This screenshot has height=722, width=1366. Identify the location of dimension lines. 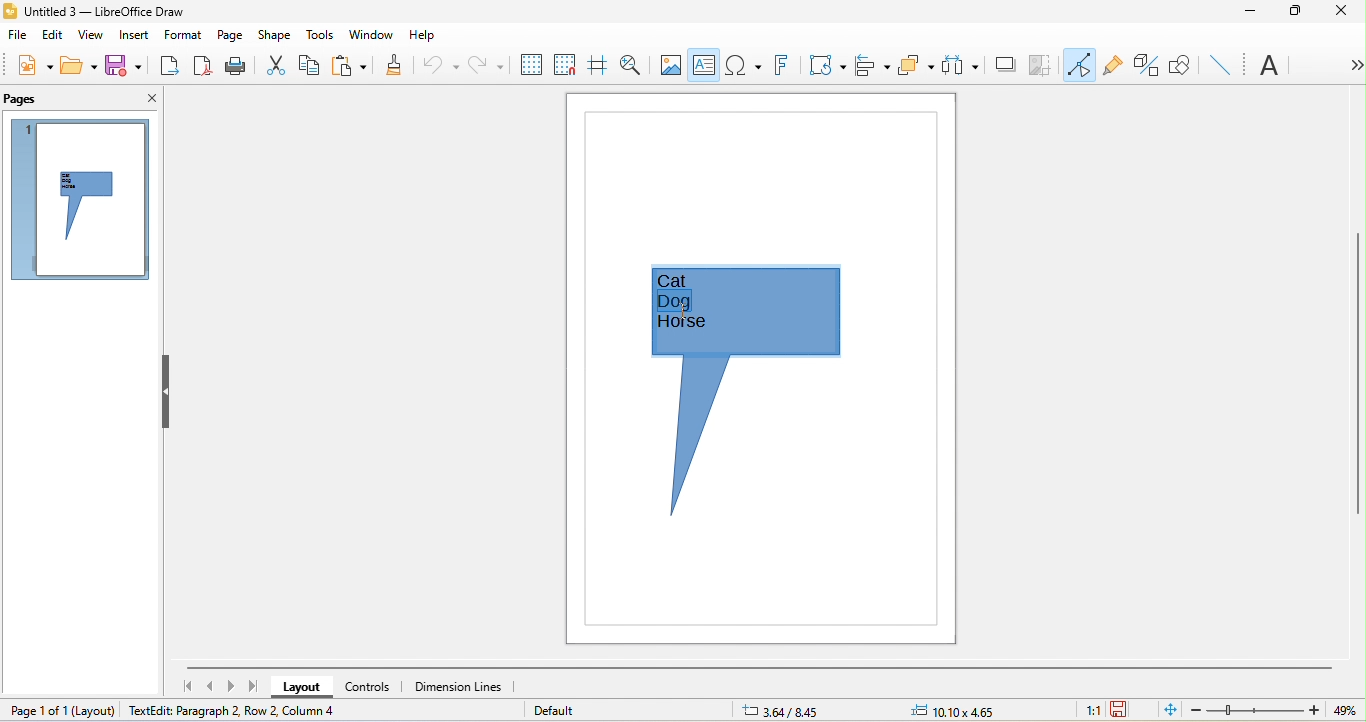
(462, 687).